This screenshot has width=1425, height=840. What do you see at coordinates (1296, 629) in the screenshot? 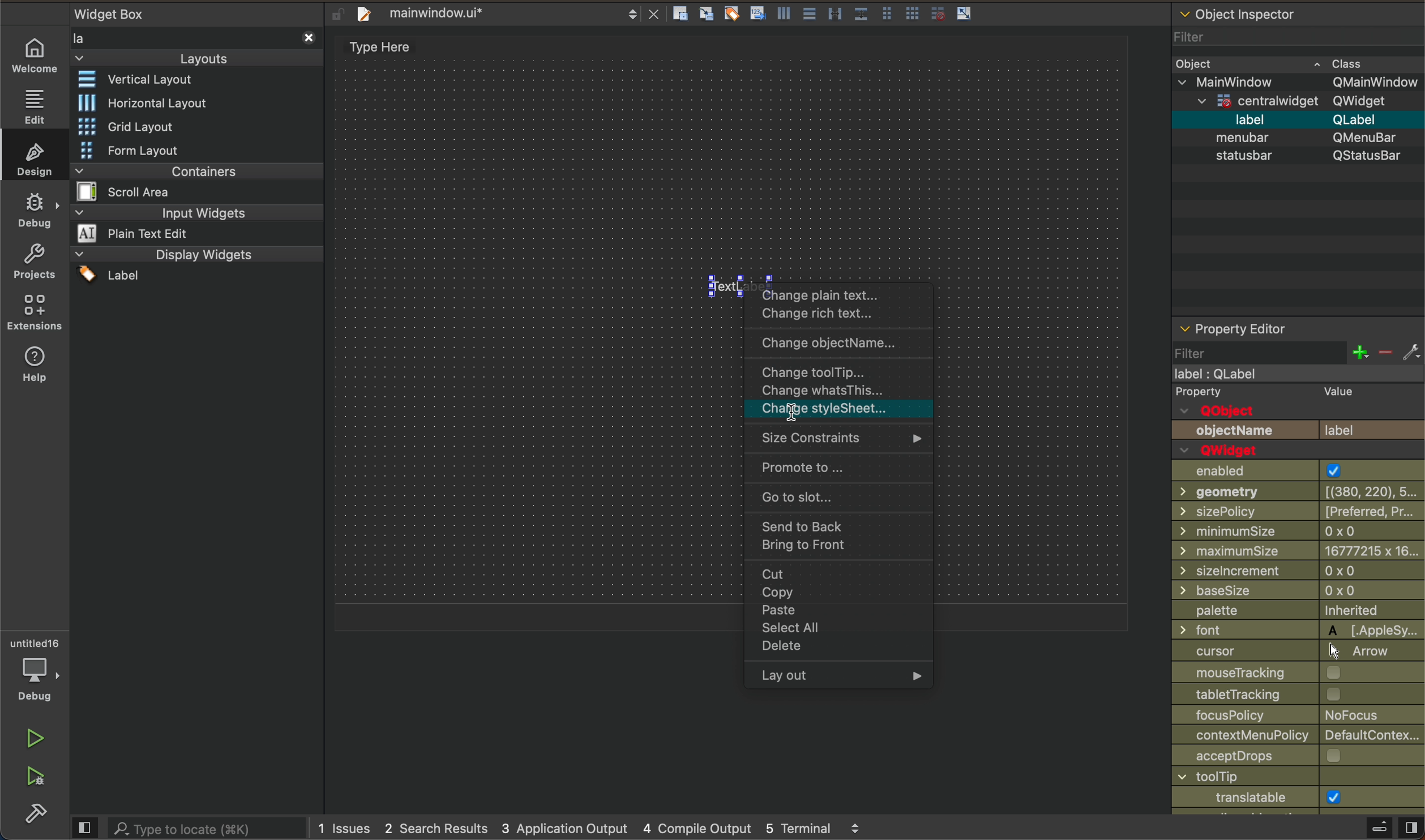
I see `font` at bounding box center [1296, 629].